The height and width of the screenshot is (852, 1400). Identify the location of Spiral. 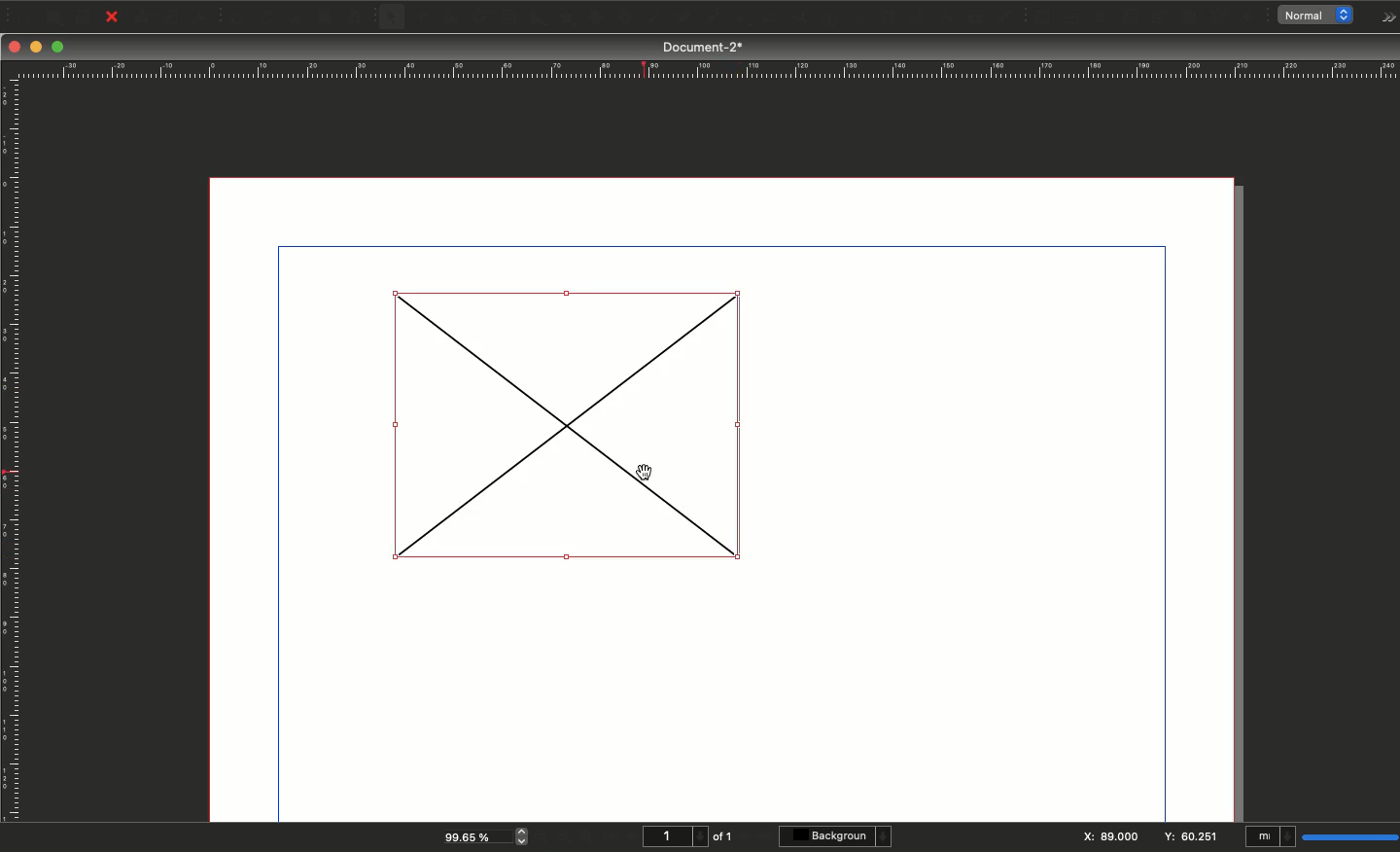
(628, 19).